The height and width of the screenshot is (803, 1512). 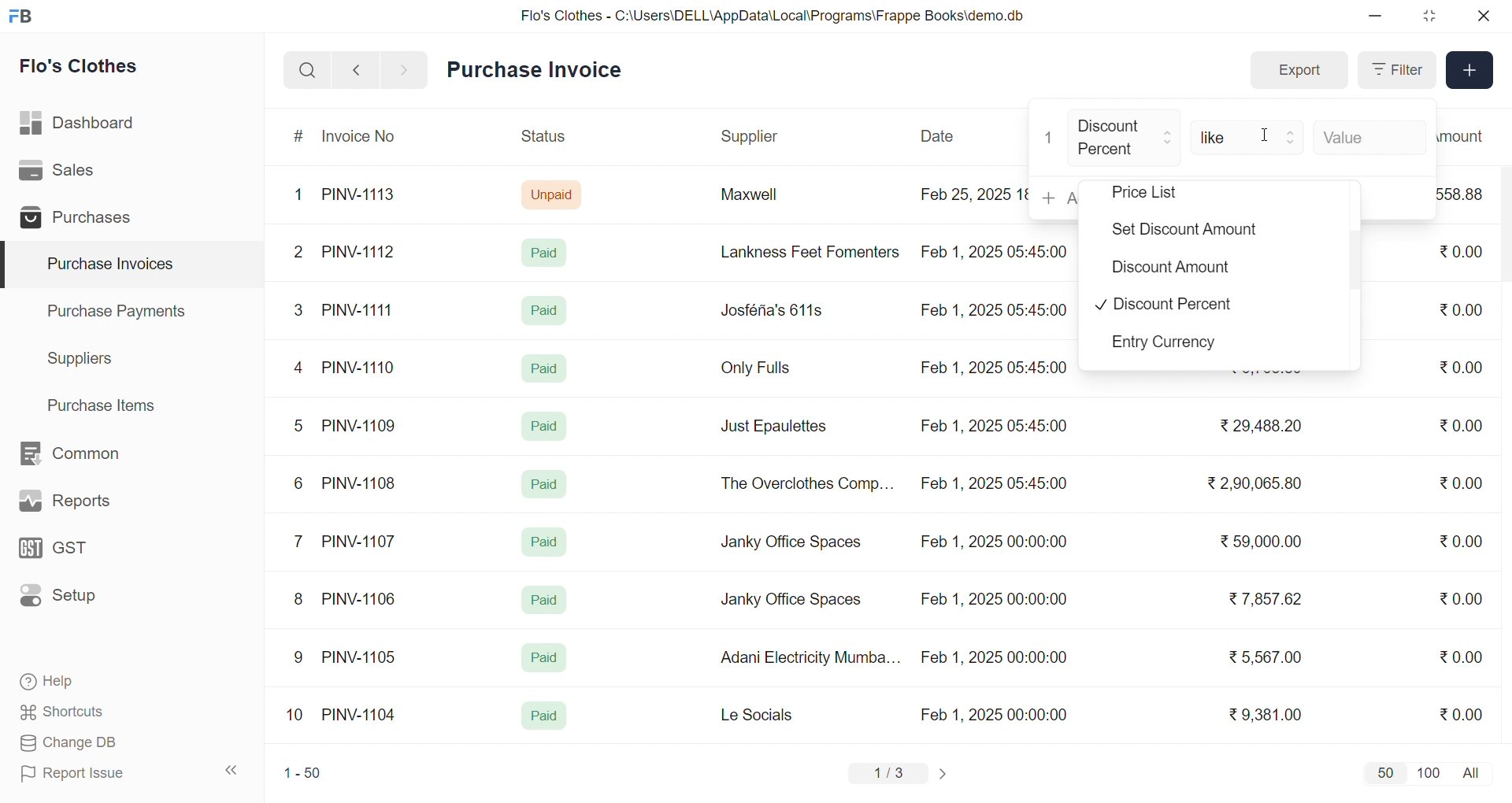 What do you see at coordinates (1050, 138) in the screenshot?
I see `1` at bounding box center [1050, 138].